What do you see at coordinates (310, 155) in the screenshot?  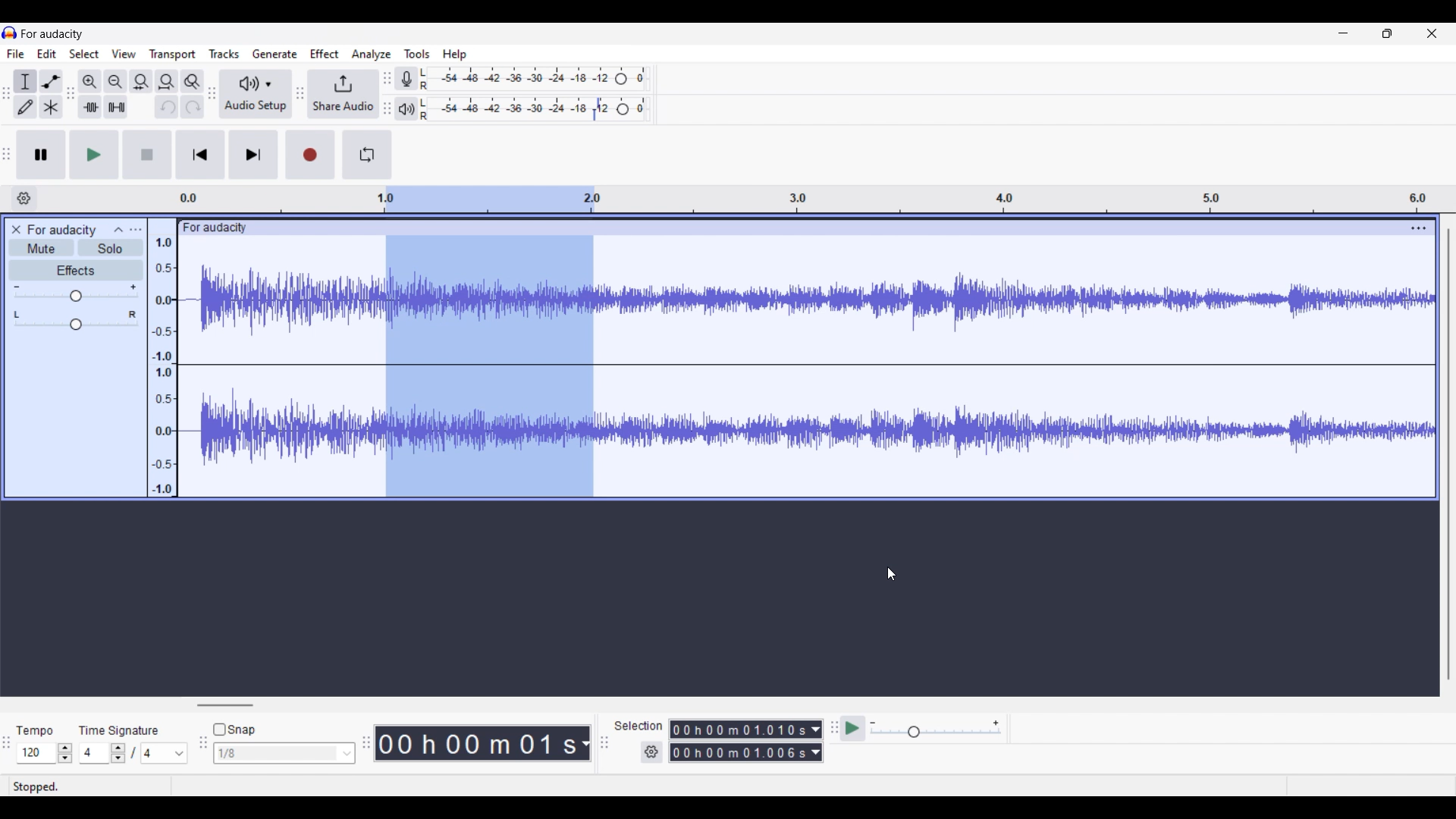 I see `Record/Record new track` at bounding box center [310, 155].